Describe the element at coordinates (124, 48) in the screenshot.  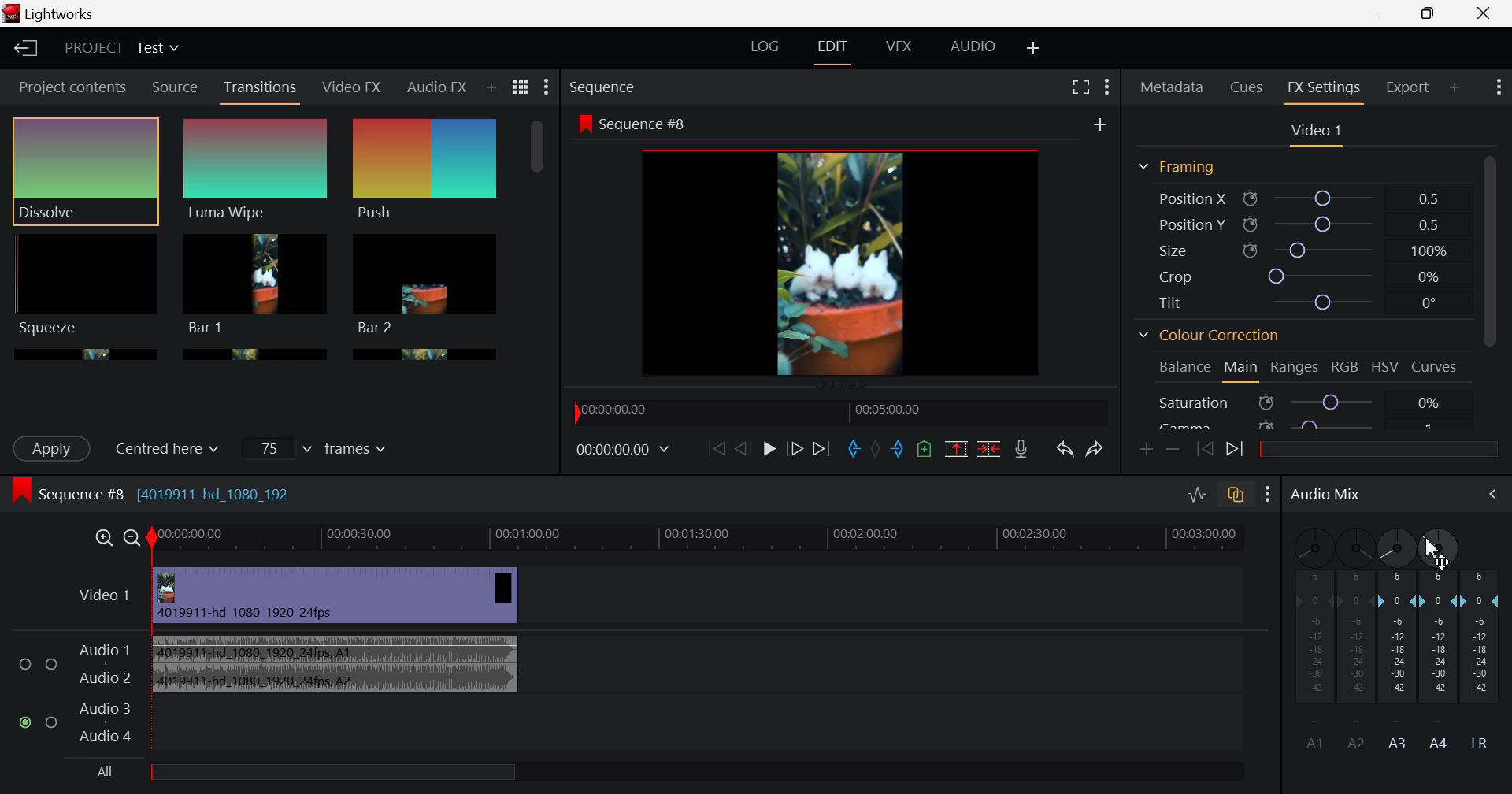
I see `Project Title` at that location.